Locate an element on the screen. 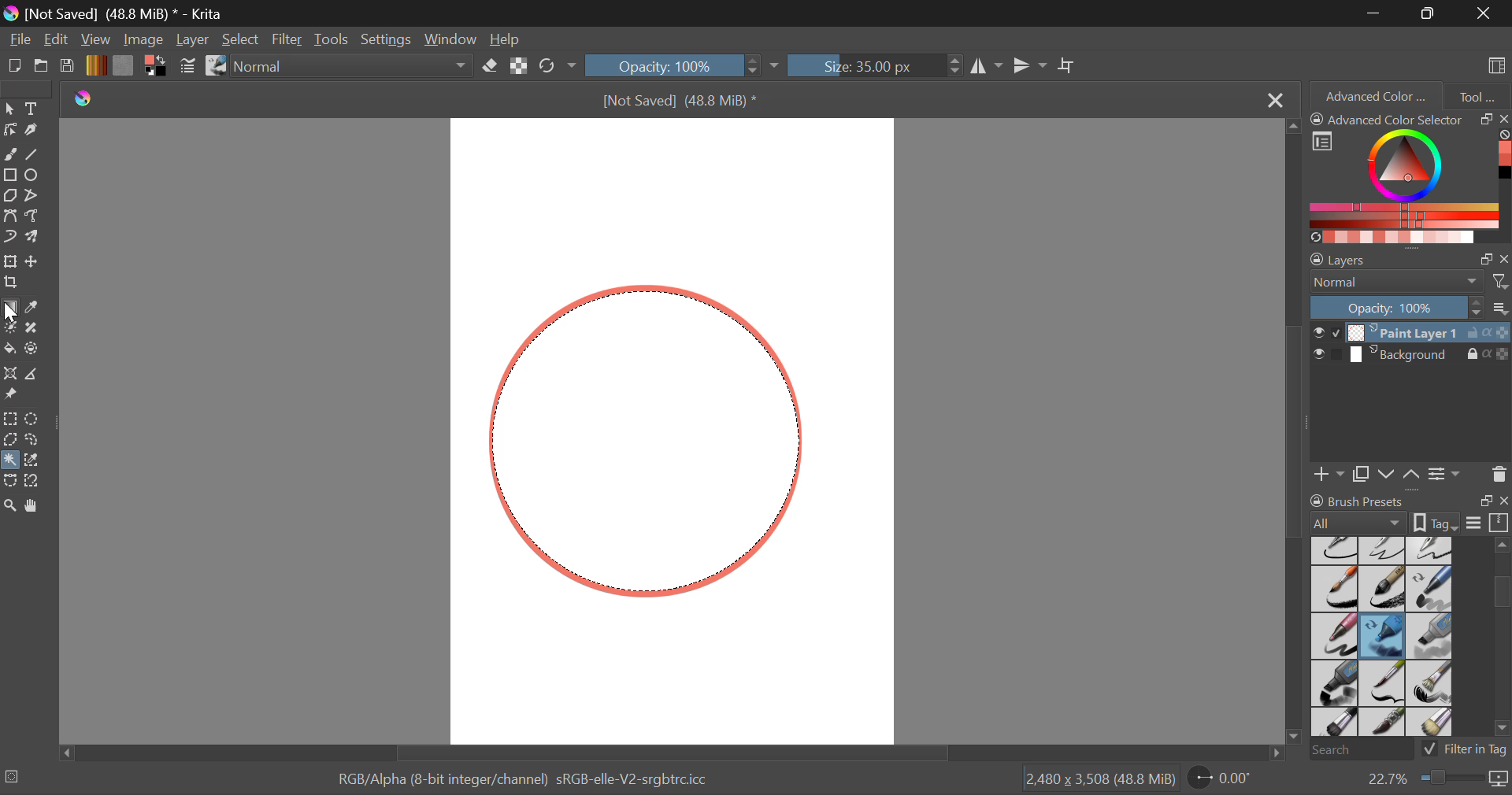 The image size is (1512, 795). Paint Layer 1 is located at coordinates (1411, 331).